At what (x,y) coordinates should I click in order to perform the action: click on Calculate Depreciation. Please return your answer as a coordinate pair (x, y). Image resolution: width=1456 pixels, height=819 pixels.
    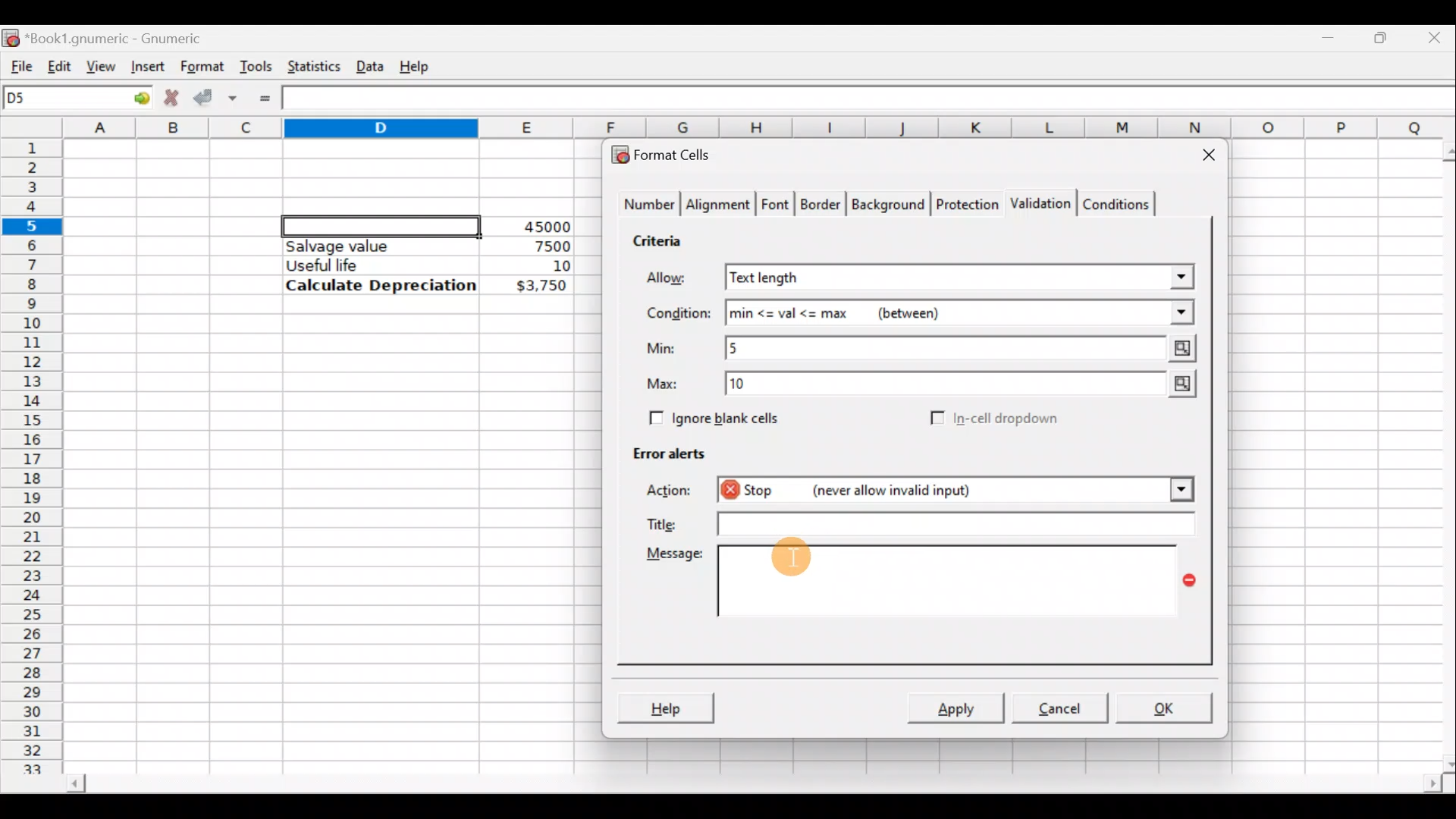
    Looking at the image, I should click on (381, 284).